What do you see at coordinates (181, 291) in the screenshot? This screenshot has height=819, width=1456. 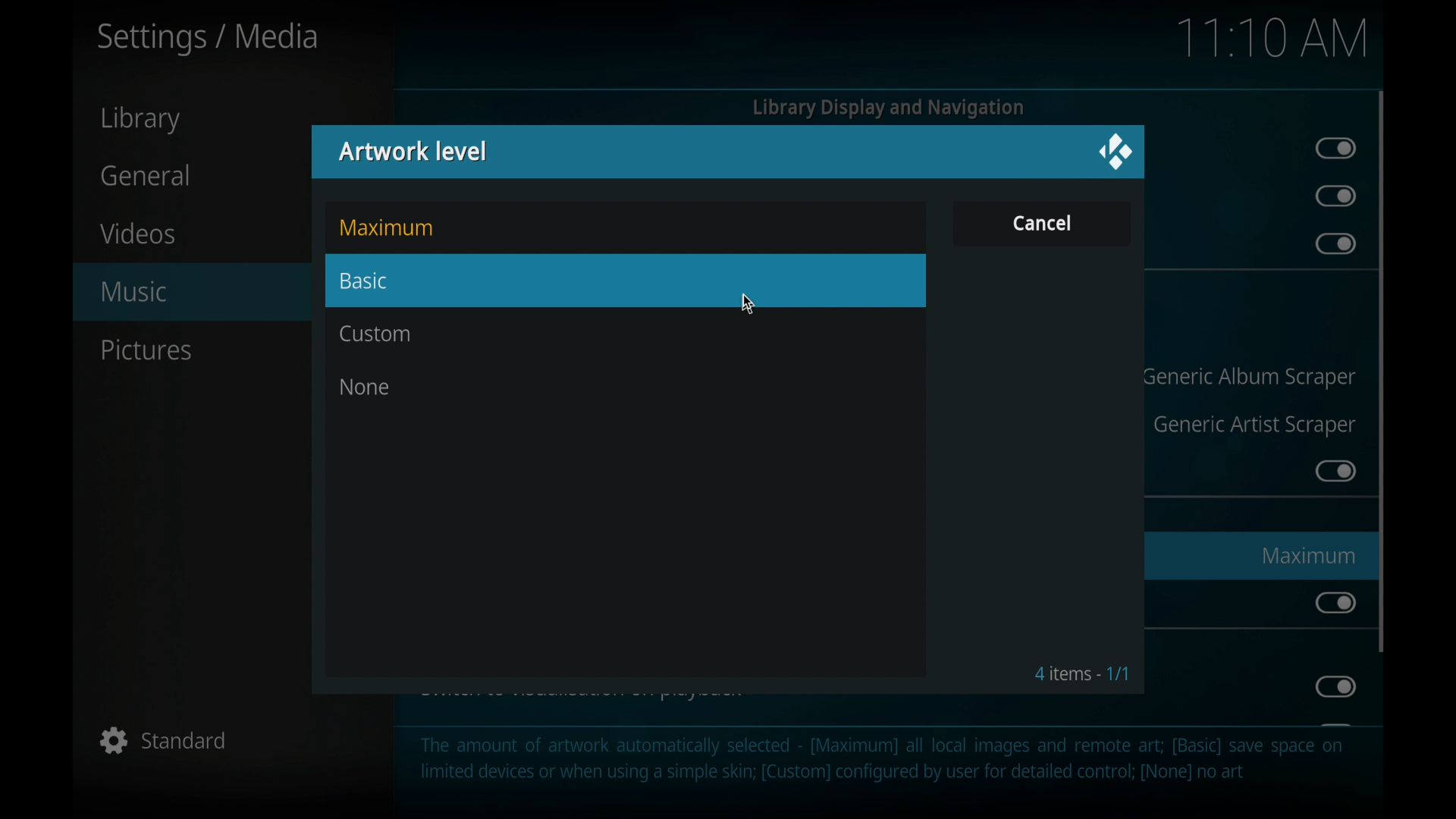 I see `music` at bounding box center [181, 291].